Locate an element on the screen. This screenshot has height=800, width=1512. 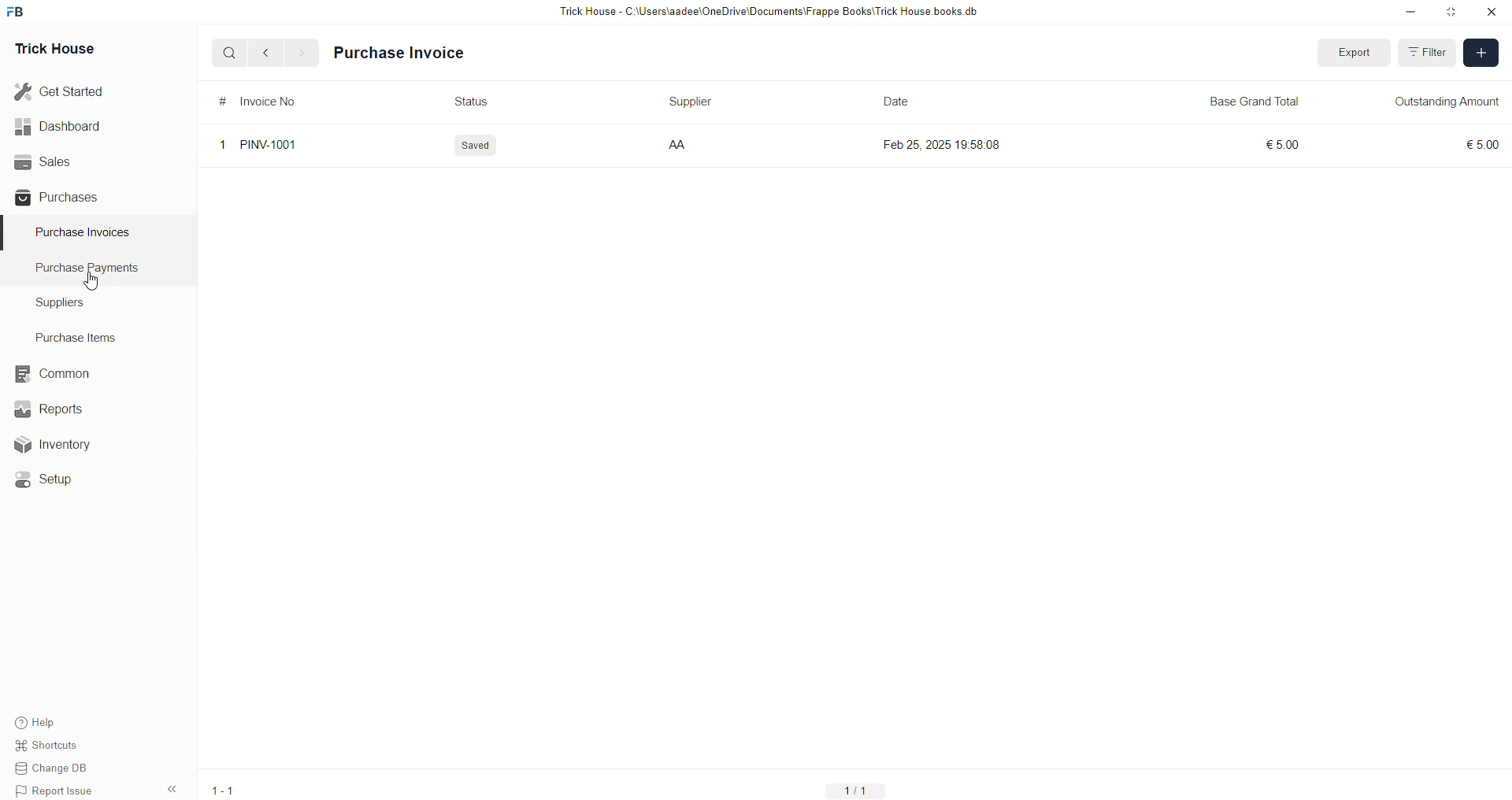
Report Issue is located at coordinates (59, 791).